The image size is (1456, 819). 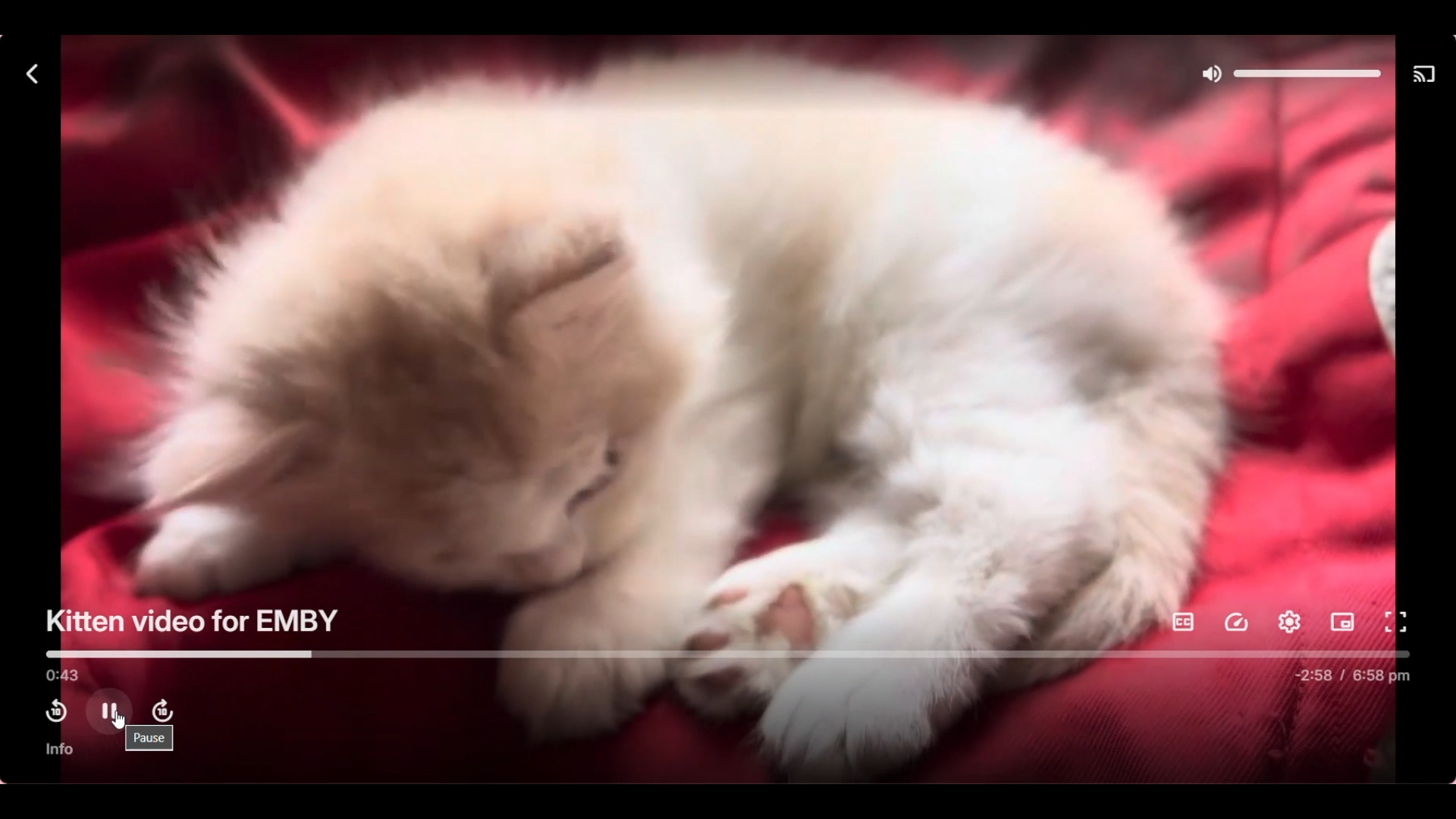 I want to click on Playback speed, so click(x=1237, y=622).